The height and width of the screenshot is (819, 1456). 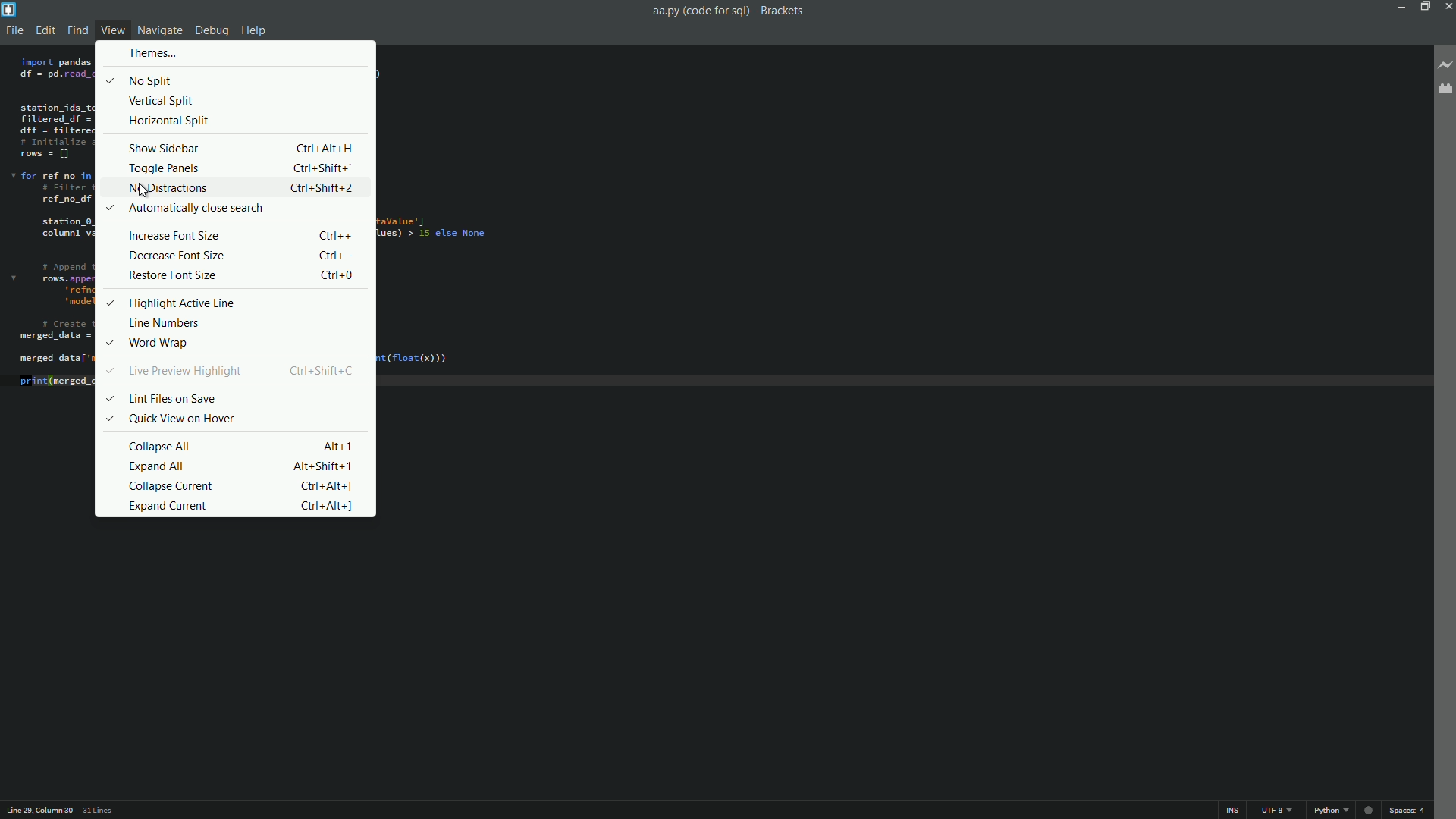 I want to click on debug menu, so click(x=211, y=30).